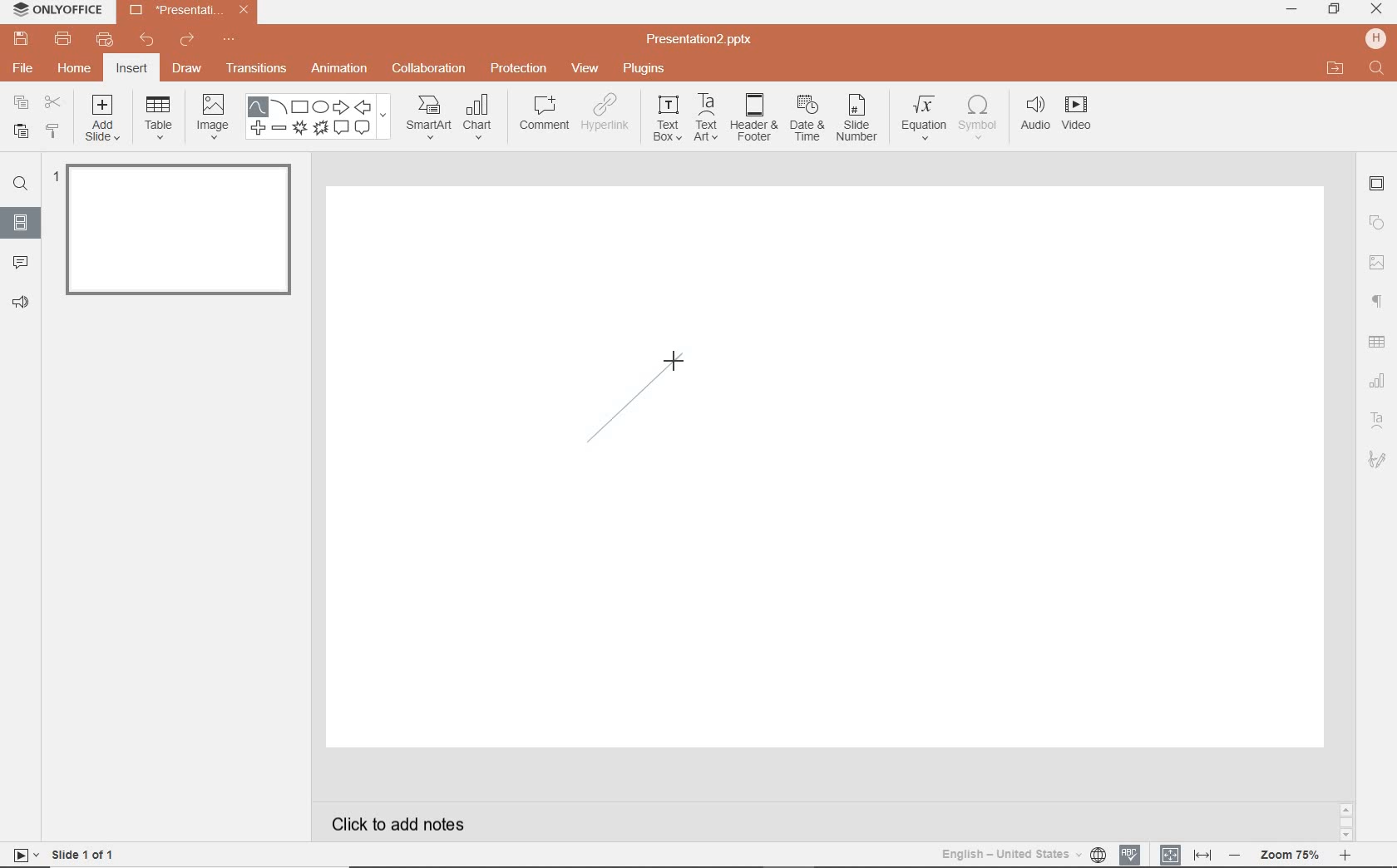 This screenshot has height=868, width=1397. What do you see at coordinates (52, 102) in the screenshot?
I see `CUT` at bounding box center [52, 102].